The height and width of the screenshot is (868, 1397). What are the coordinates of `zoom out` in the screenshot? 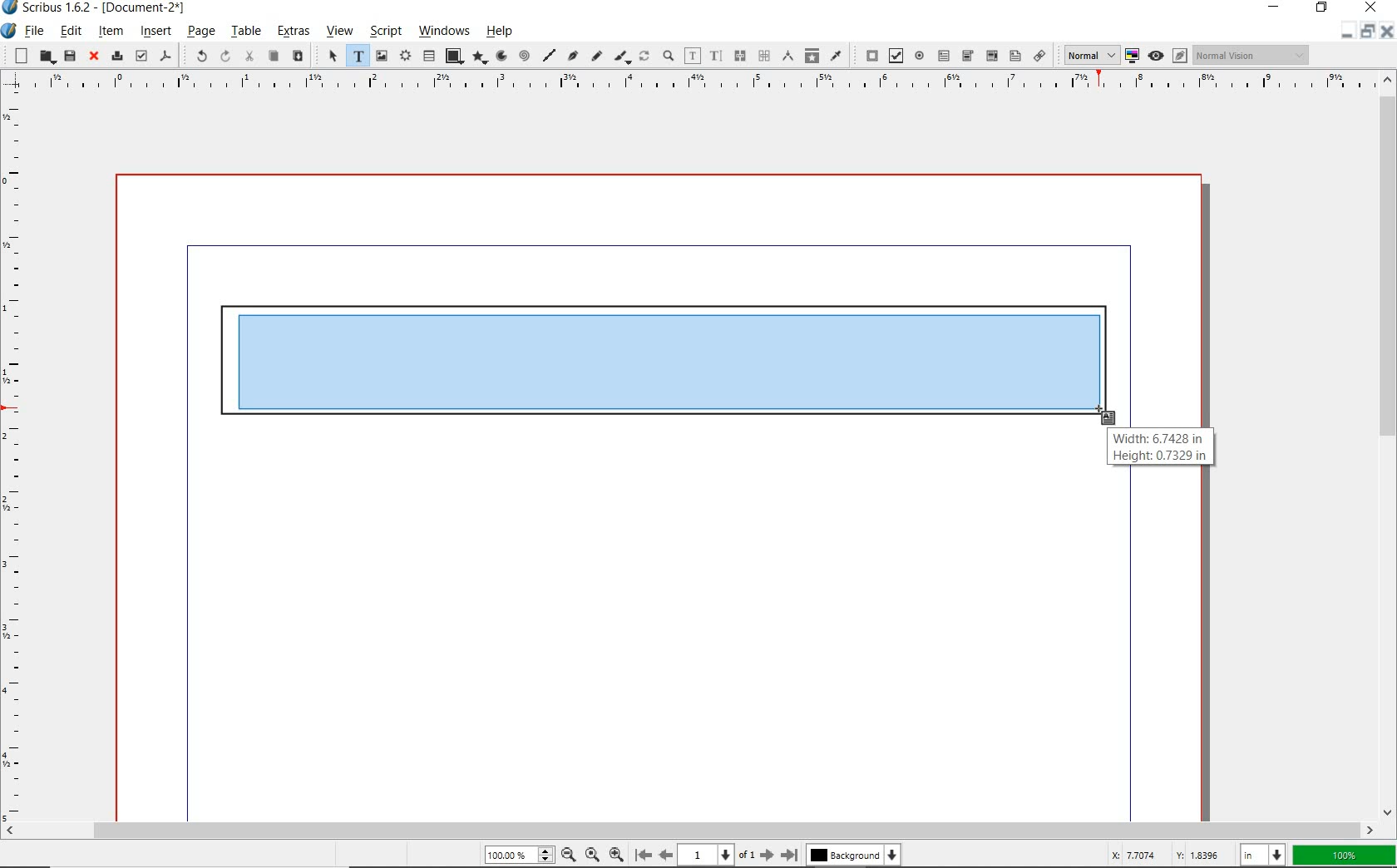 It's located at (616, 853).